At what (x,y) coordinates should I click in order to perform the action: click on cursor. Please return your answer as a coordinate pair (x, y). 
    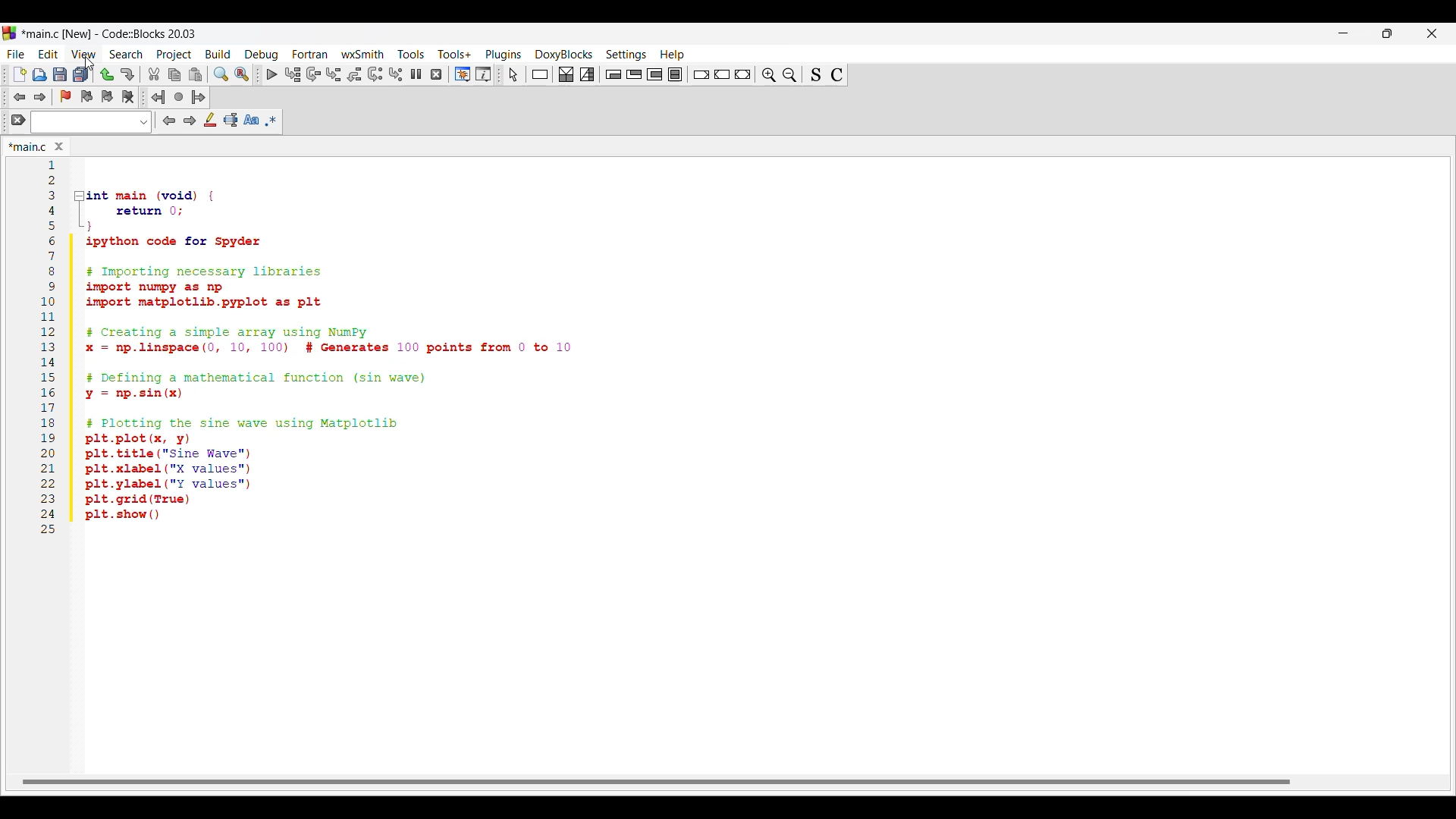
    Looking at the image, I should click on (91, 65).